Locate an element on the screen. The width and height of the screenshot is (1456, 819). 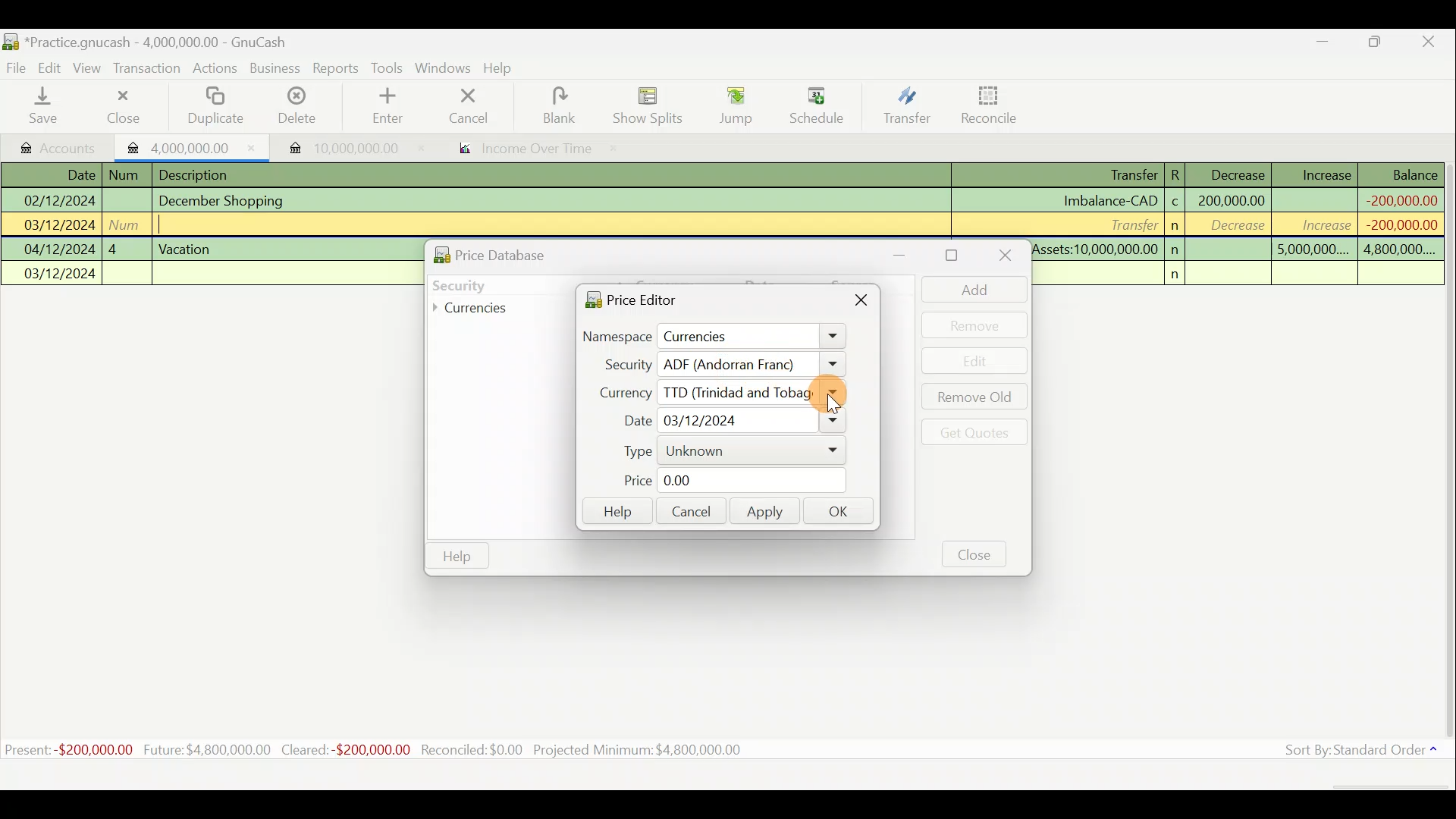
Remove is located at coordinates (974, 325).